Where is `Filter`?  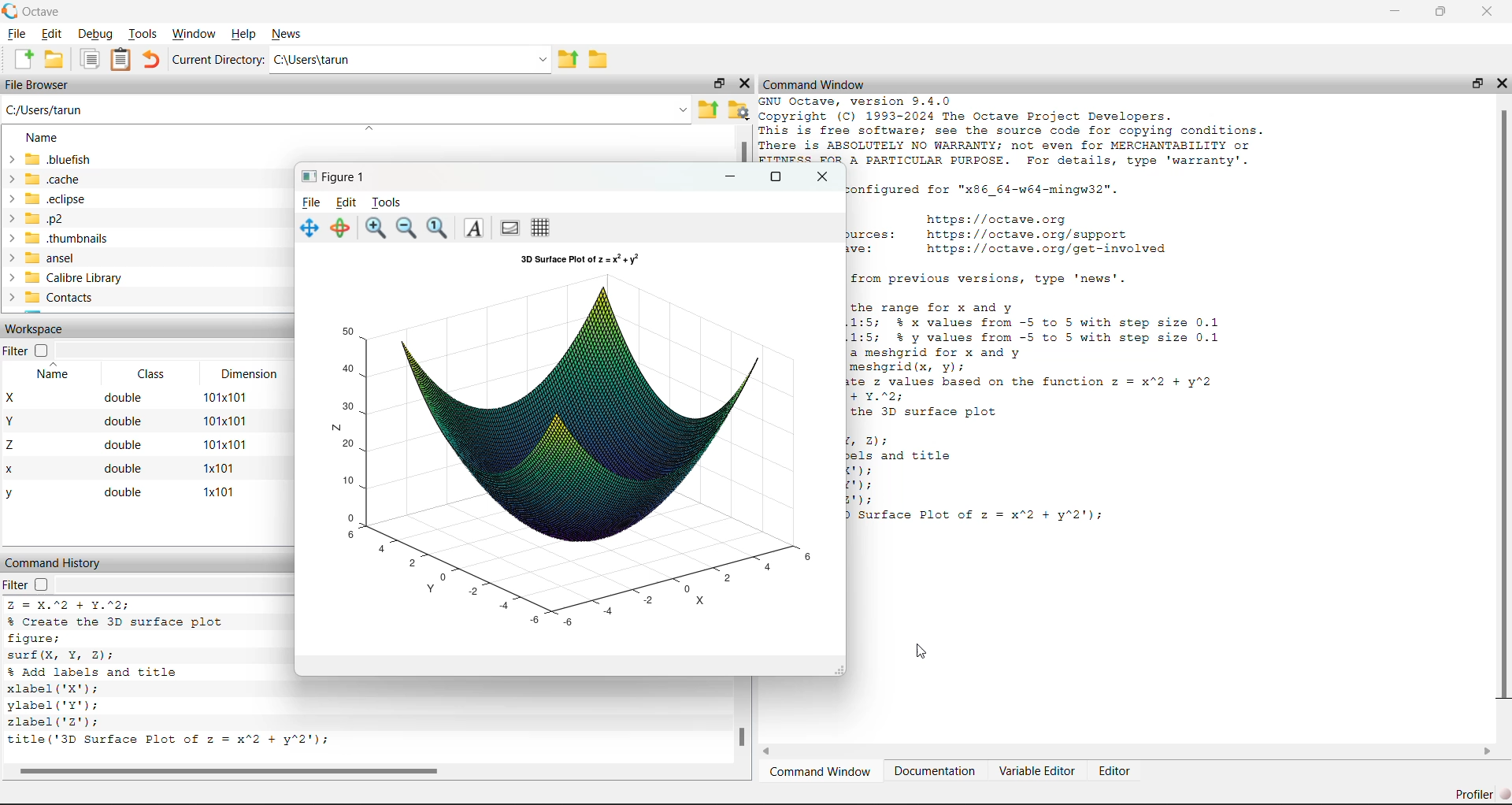 Filter is located at coordinates (15, 351).